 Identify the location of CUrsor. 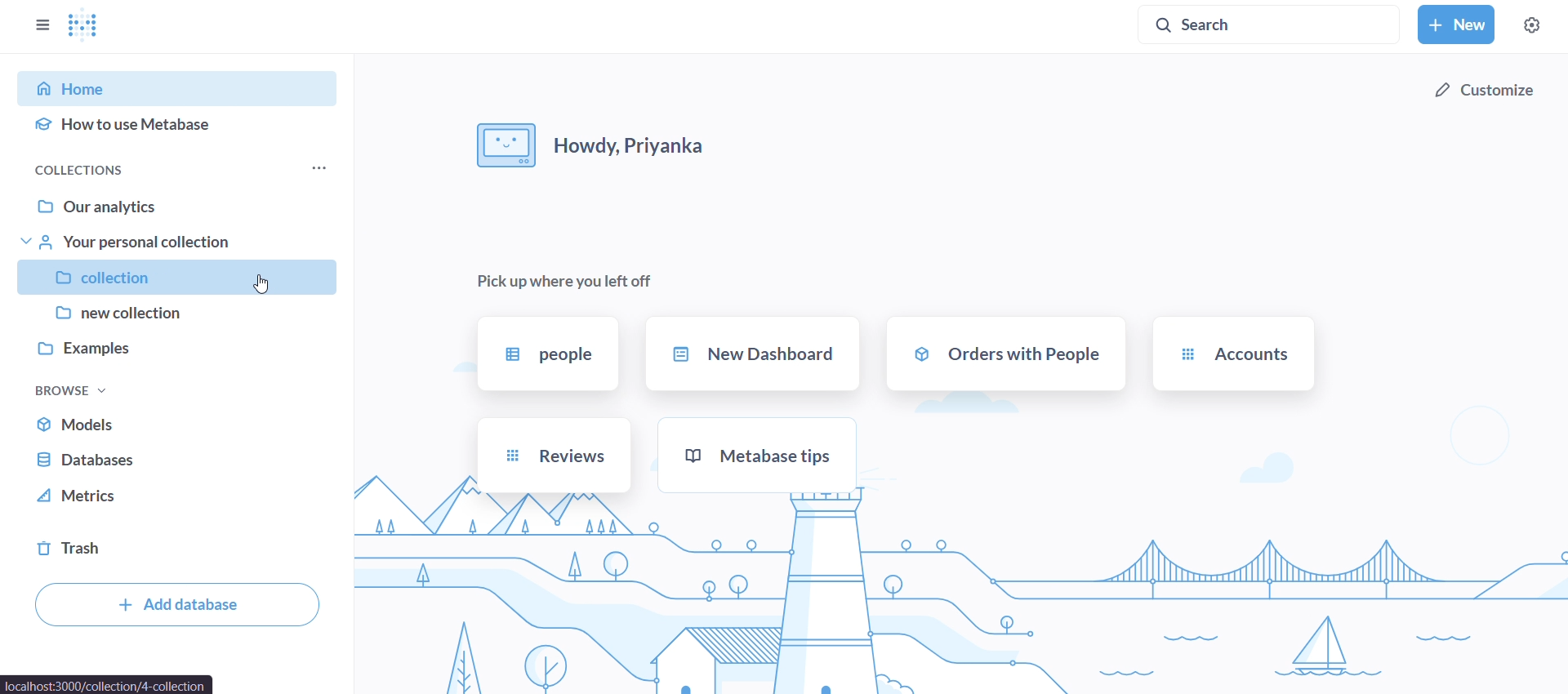
(265, 284).